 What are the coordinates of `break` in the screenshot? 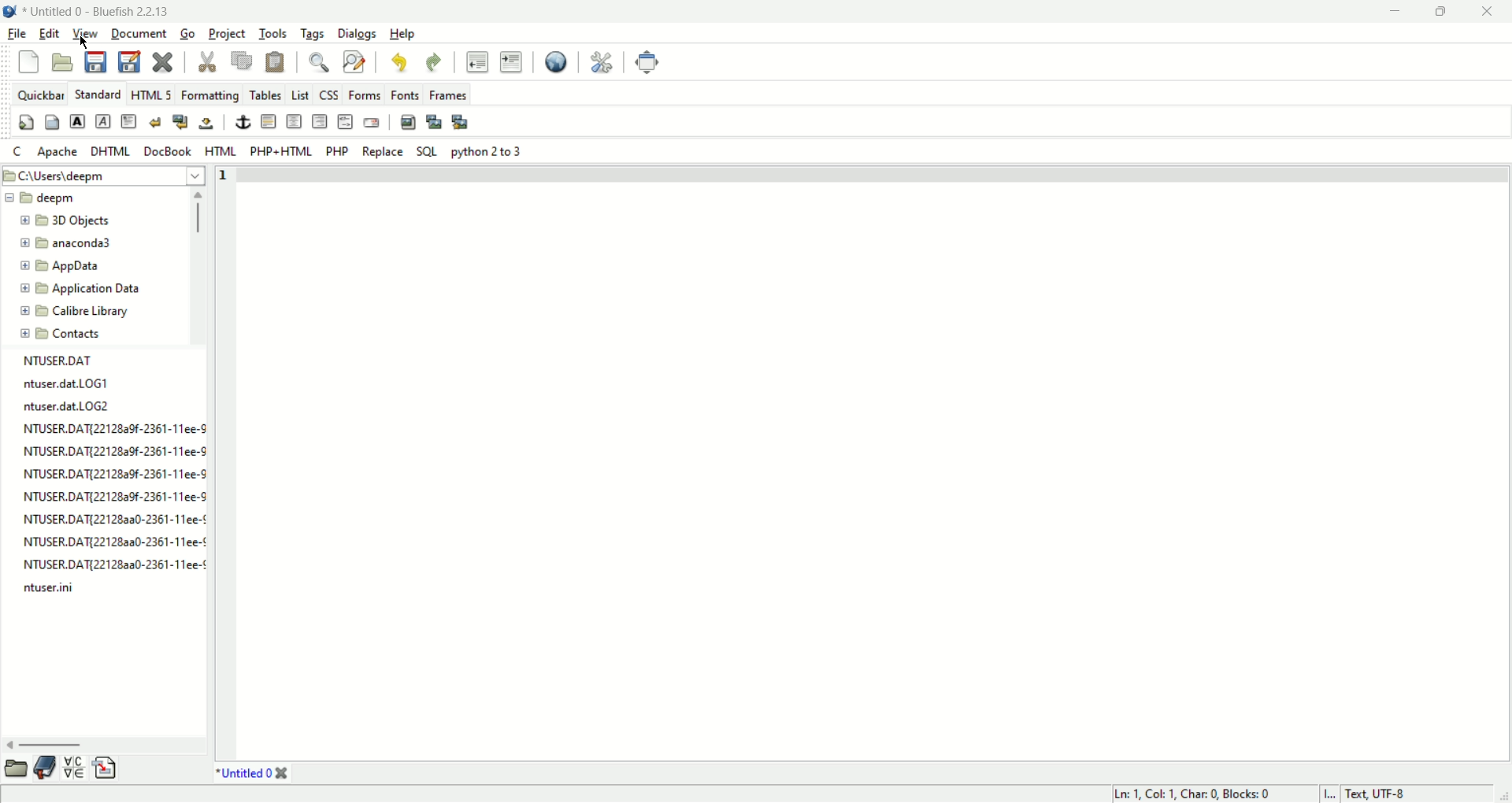 It's located at (154, 123).